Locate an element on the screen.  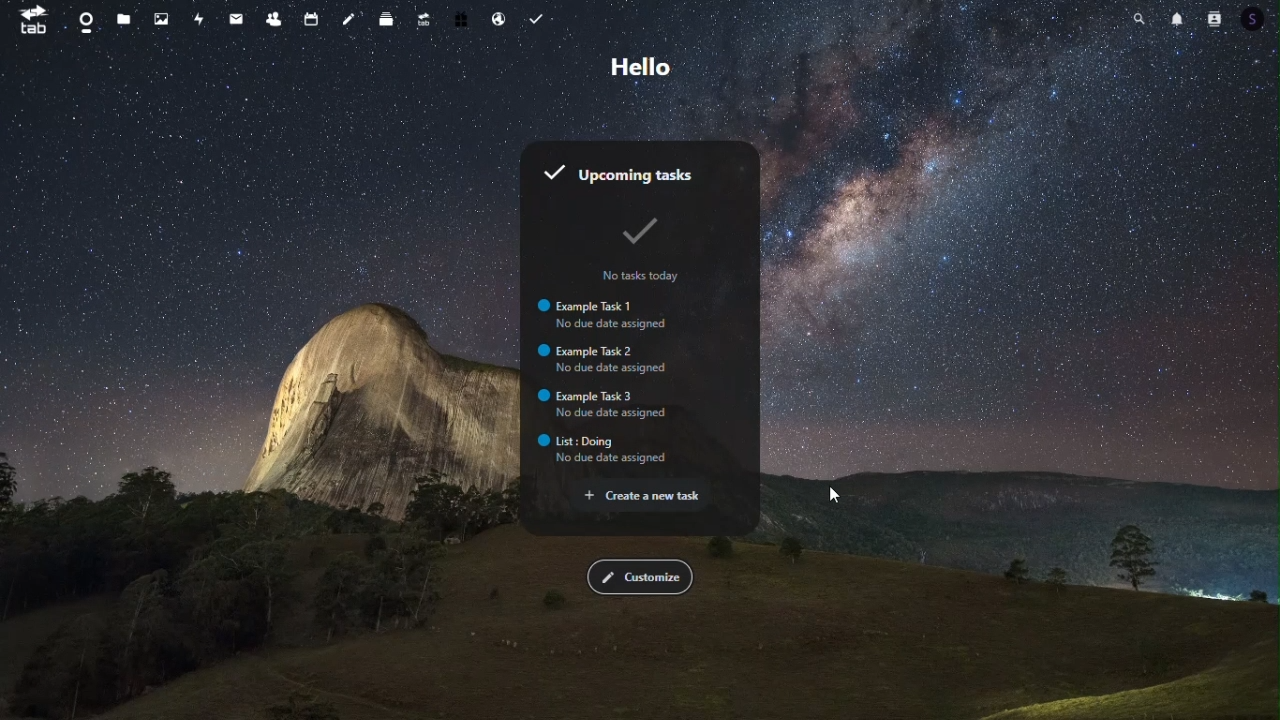
files is located at coordinates (123, 19).